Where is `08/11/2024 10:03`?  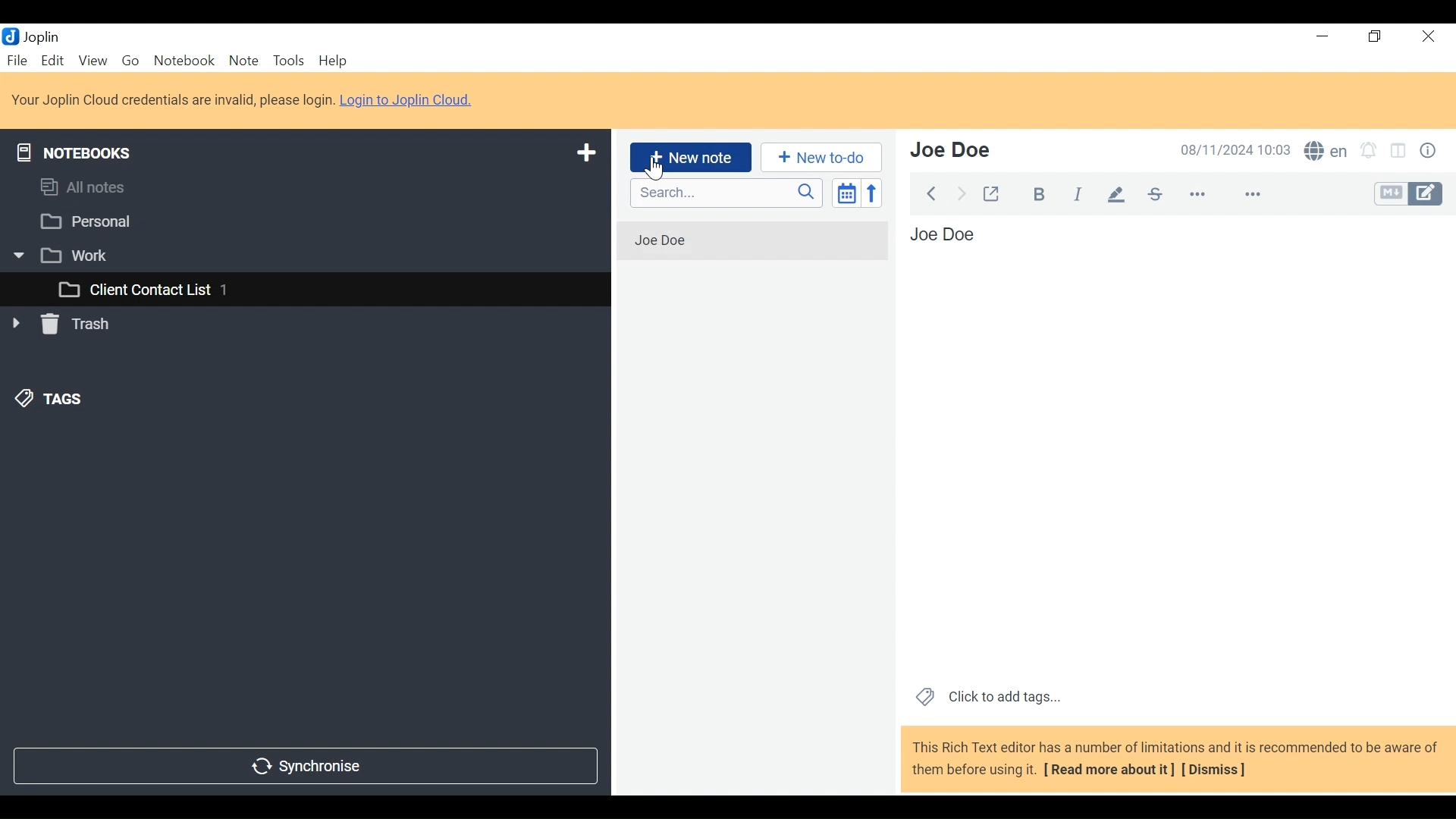
08/11/2024 10:03 is located at coordinates (1235, 149).